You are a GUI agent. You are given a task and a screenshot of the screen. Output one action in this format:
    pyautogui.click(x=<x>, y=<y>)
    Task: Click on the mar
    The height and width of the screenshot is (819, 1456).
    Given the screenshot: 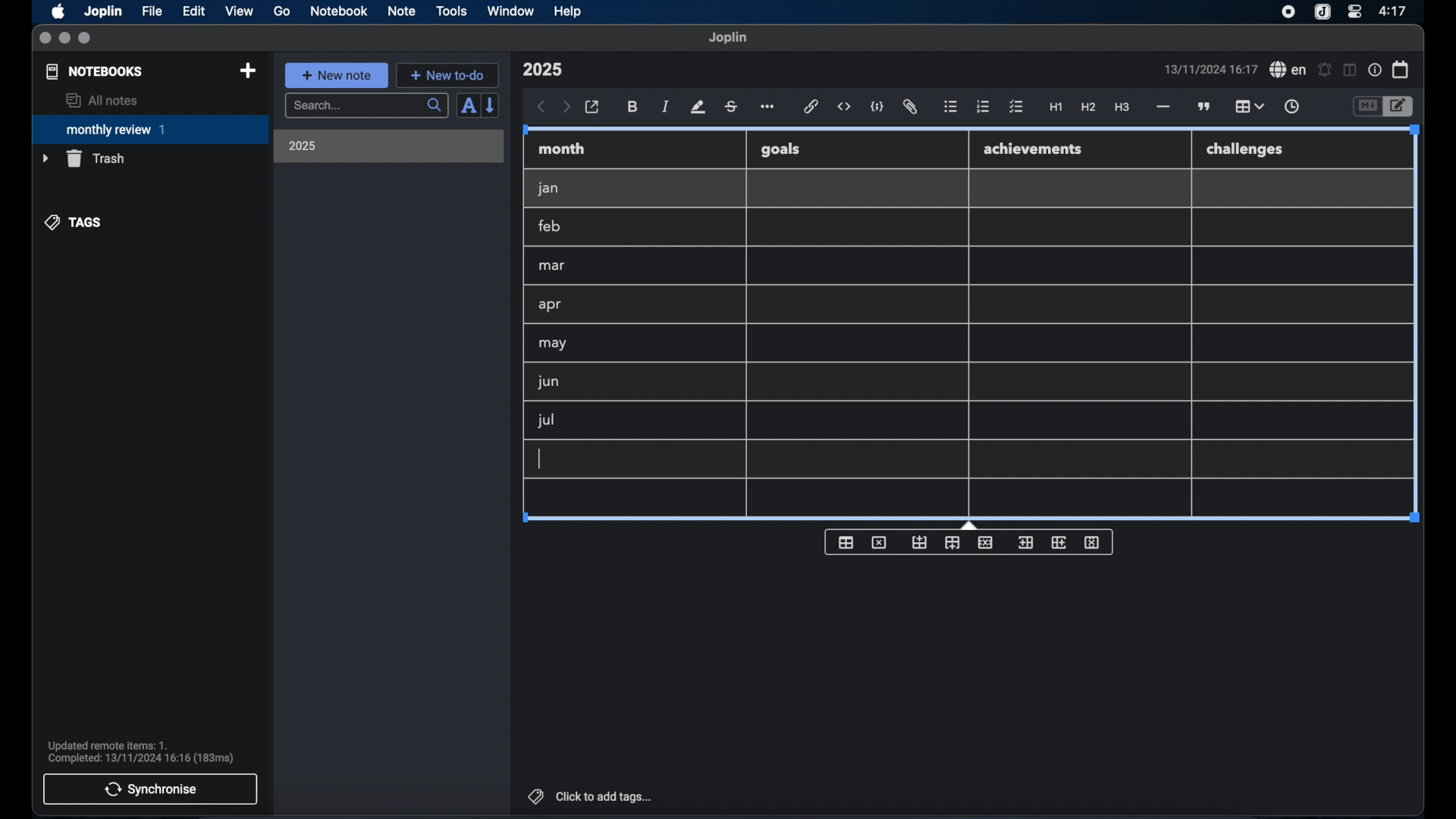 What is the action you would take?
    pyautogui.click(x=553, y=266)
    